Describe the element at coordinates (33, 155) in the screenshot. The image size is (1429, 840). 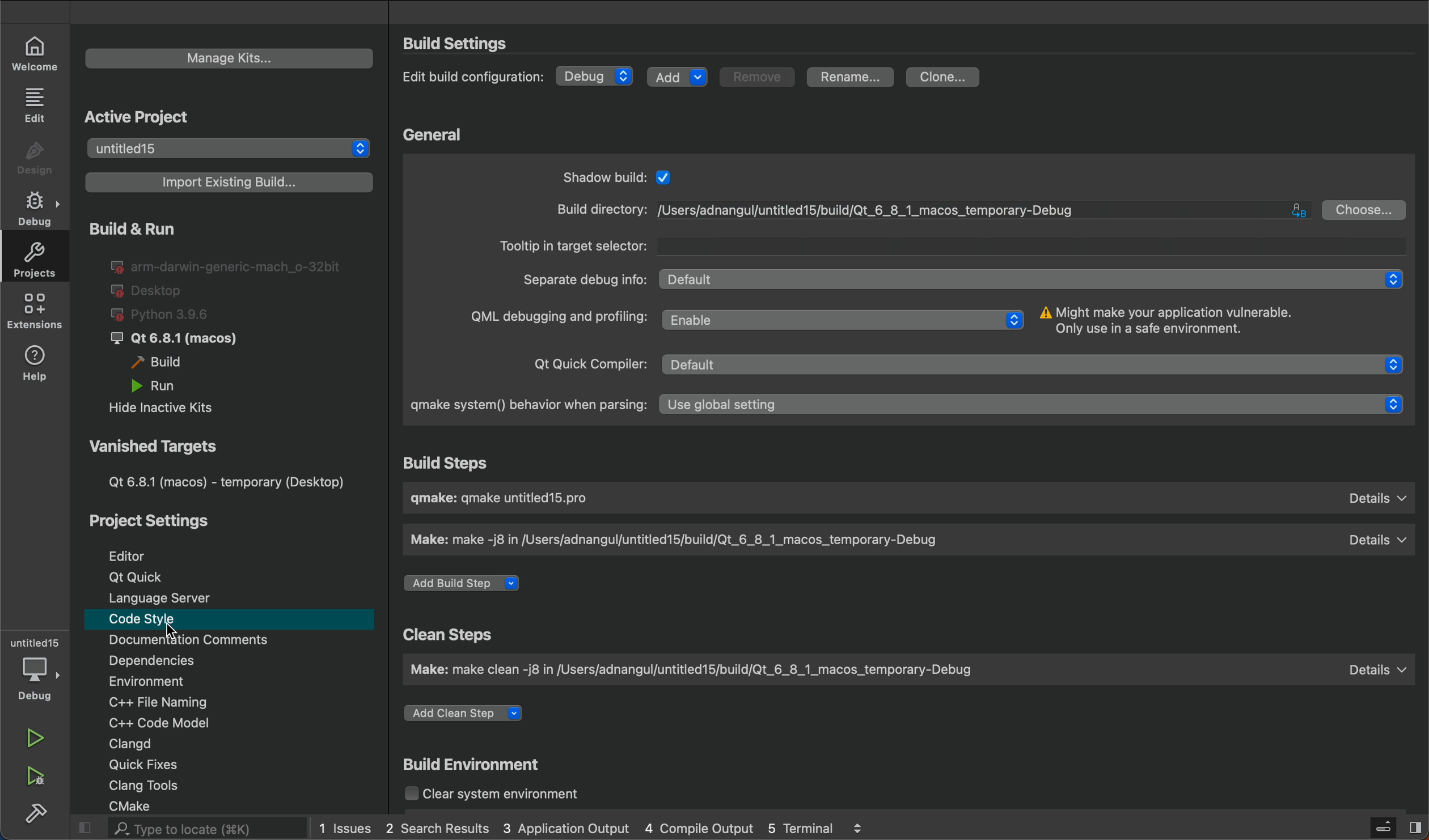
I see `design` at that location.